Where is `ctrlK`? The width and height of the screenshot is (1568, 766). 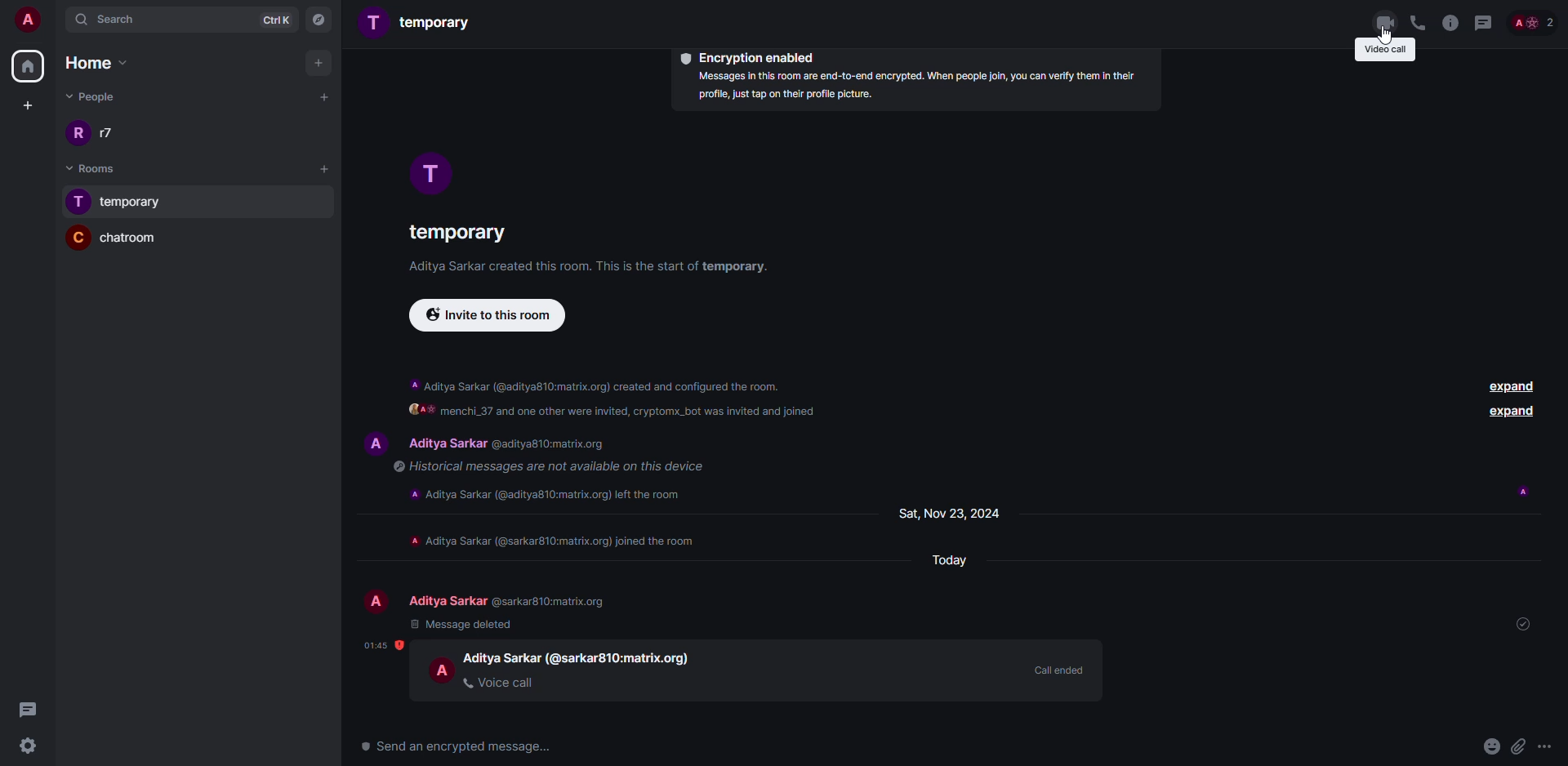 ctrlK is located at coordinates (271, 19).